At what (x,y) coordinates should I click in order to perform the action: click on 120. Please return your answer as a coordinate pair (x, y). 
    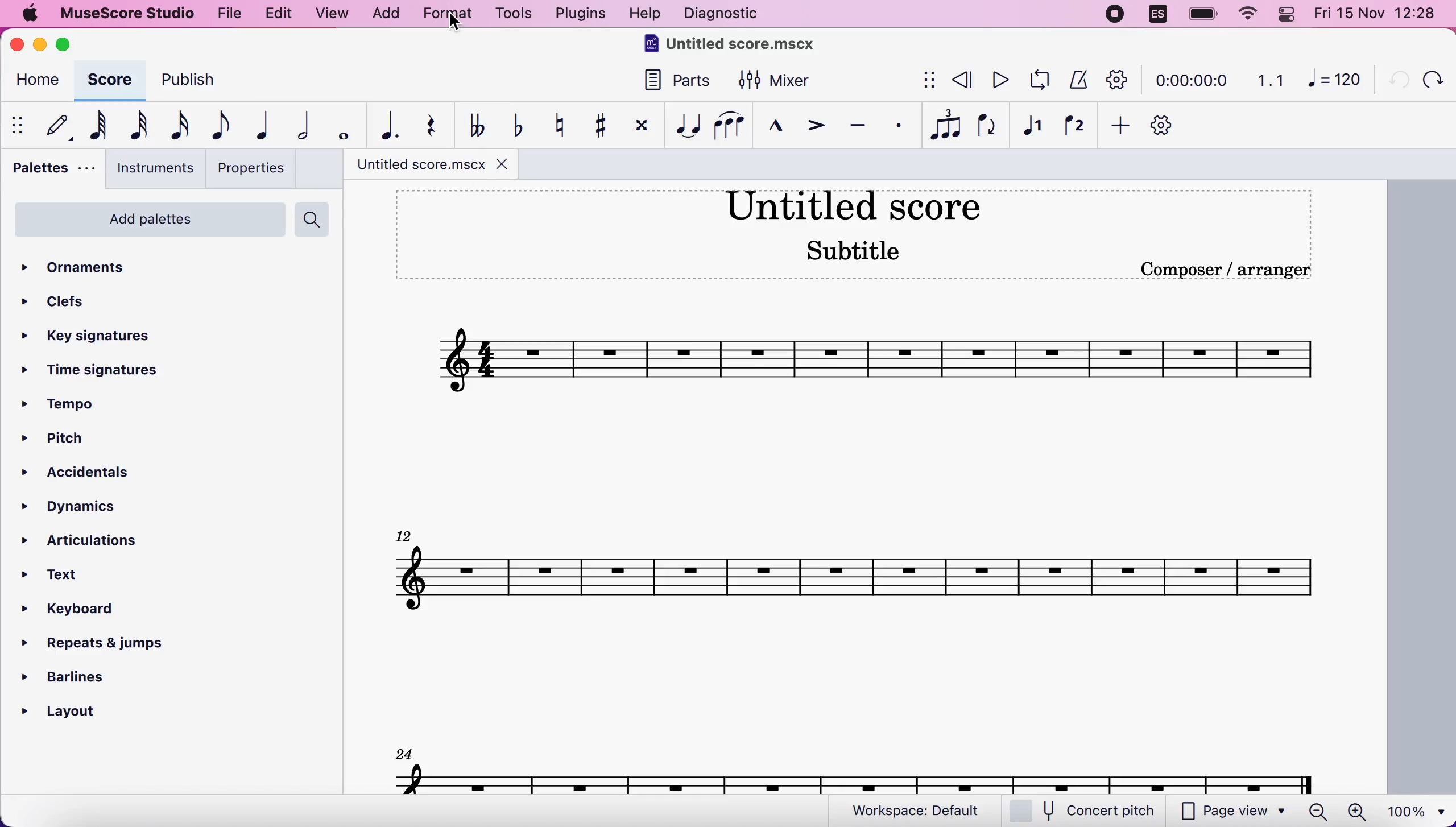
    Looking at the image, I should click on (1334, 78).